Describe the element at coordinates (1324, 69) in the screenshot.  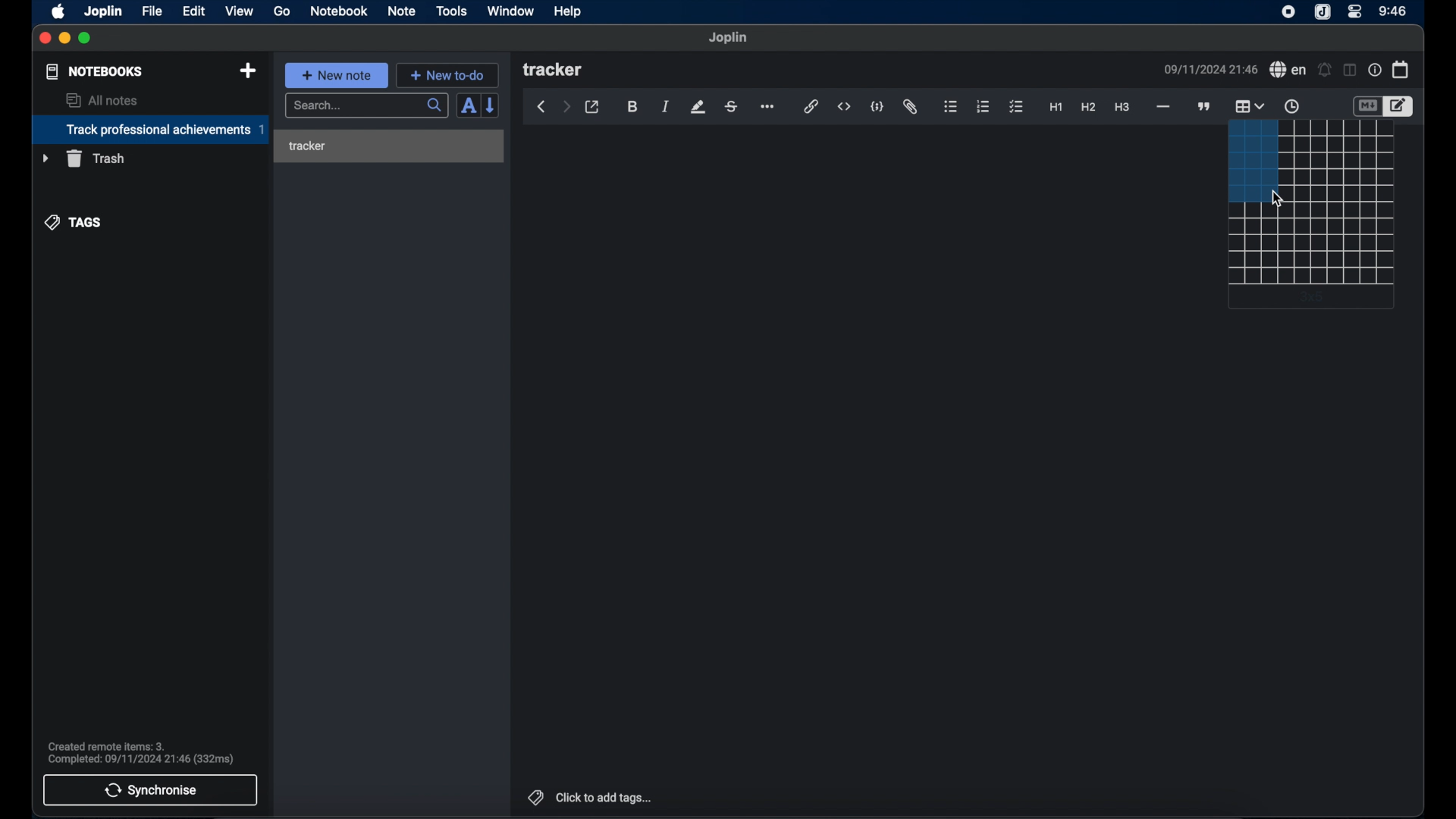
I see `set alarm` at that location.